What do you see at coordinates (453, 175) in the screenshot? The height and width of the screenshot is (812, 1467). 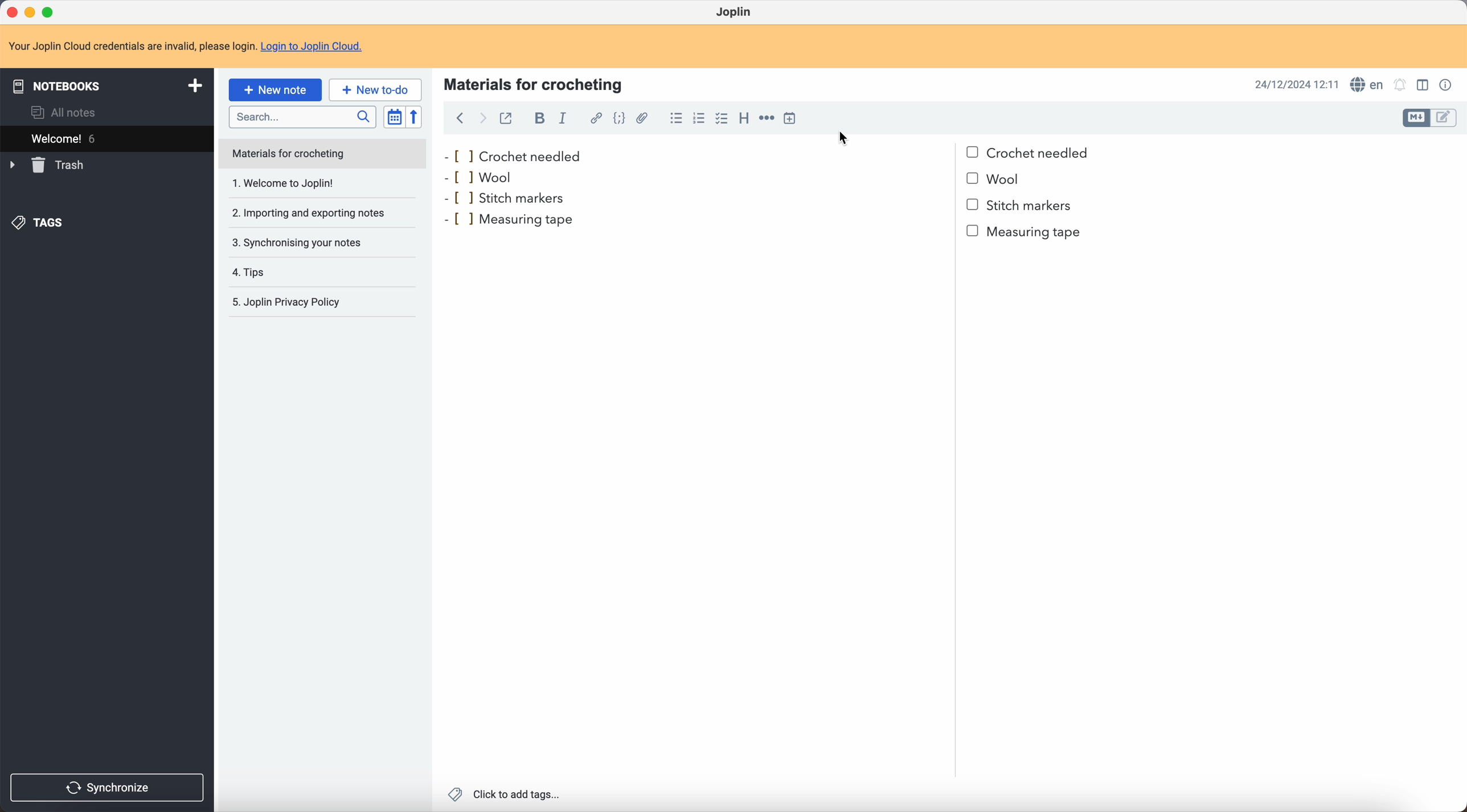 I see `bullet point` at bounding box center [453, 175].